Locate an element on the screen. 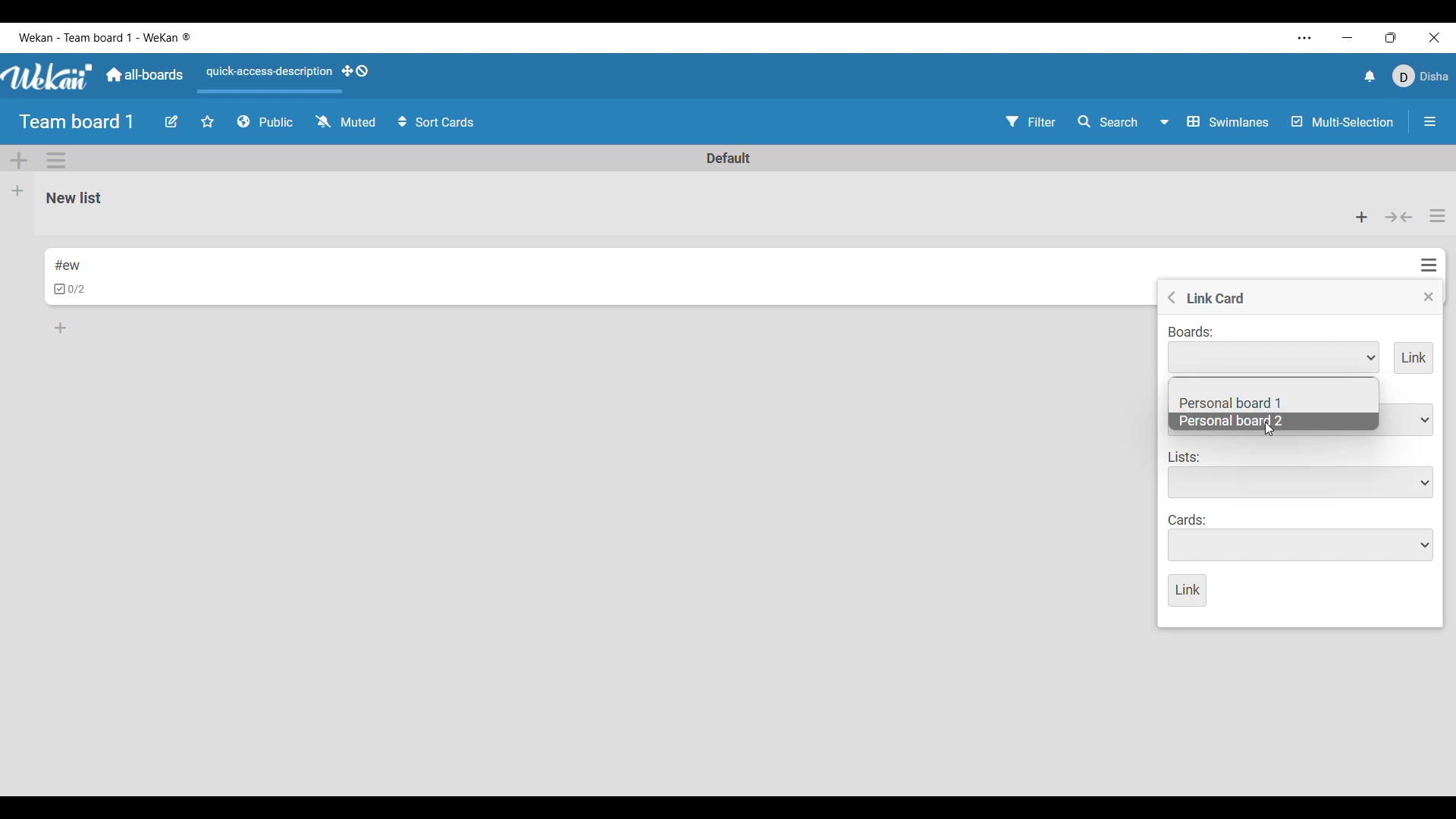  Software logo is located at coordinates (49, 77).